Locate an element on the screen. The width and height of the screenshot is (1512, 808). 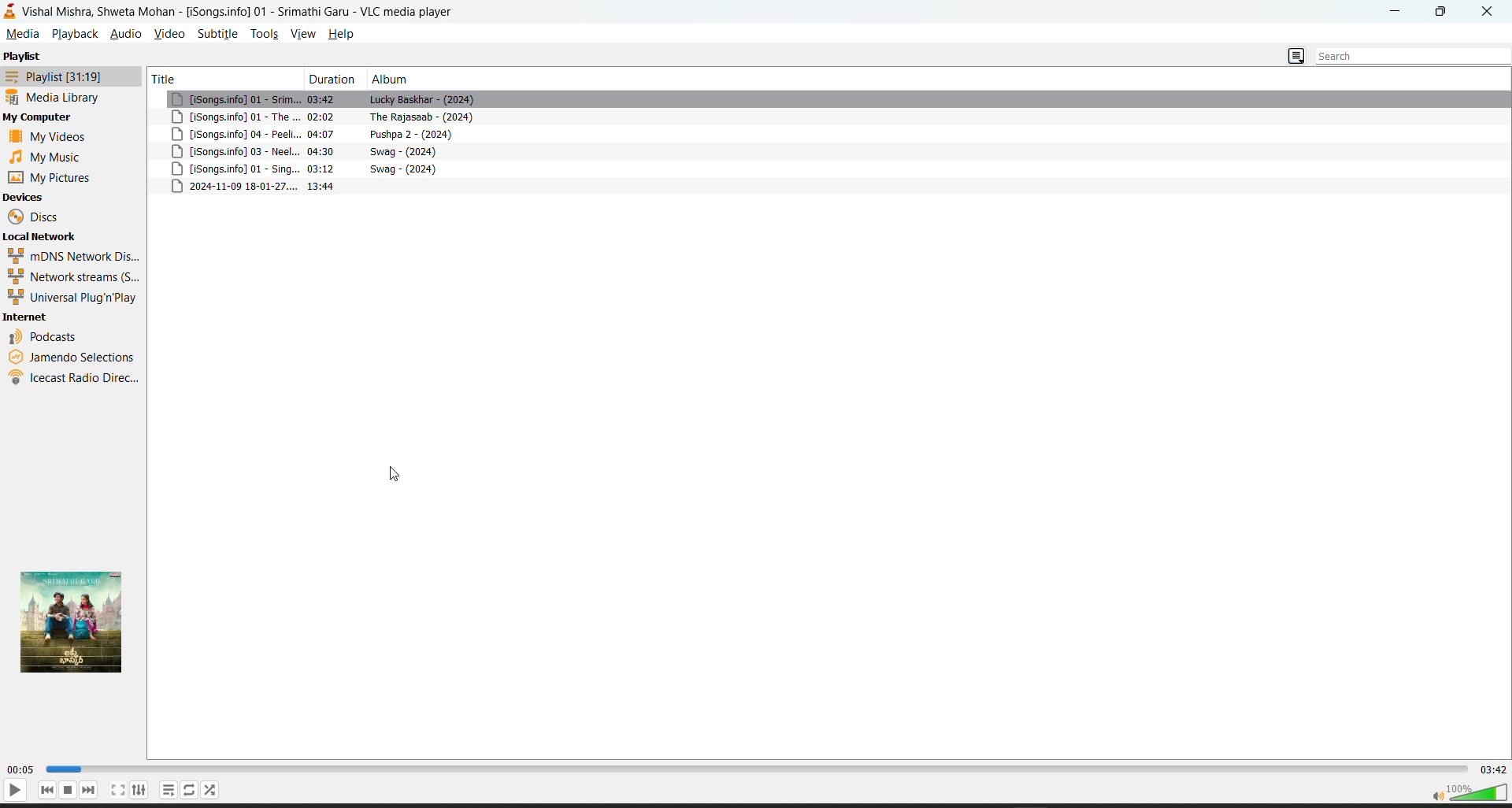
my videos is located at coordinates (50, 137).